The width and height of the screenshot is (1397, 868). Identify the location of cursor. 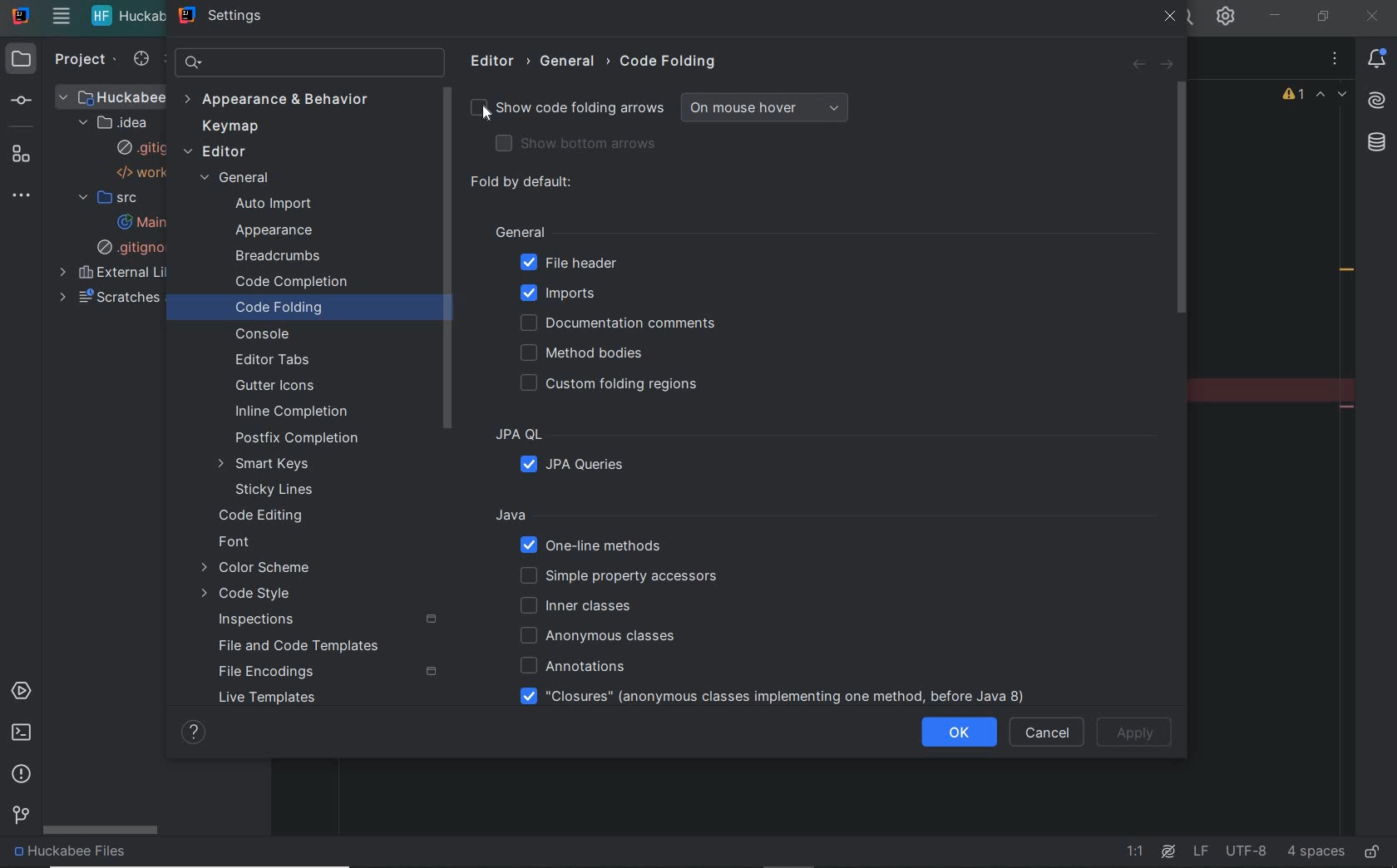
(481, 113).